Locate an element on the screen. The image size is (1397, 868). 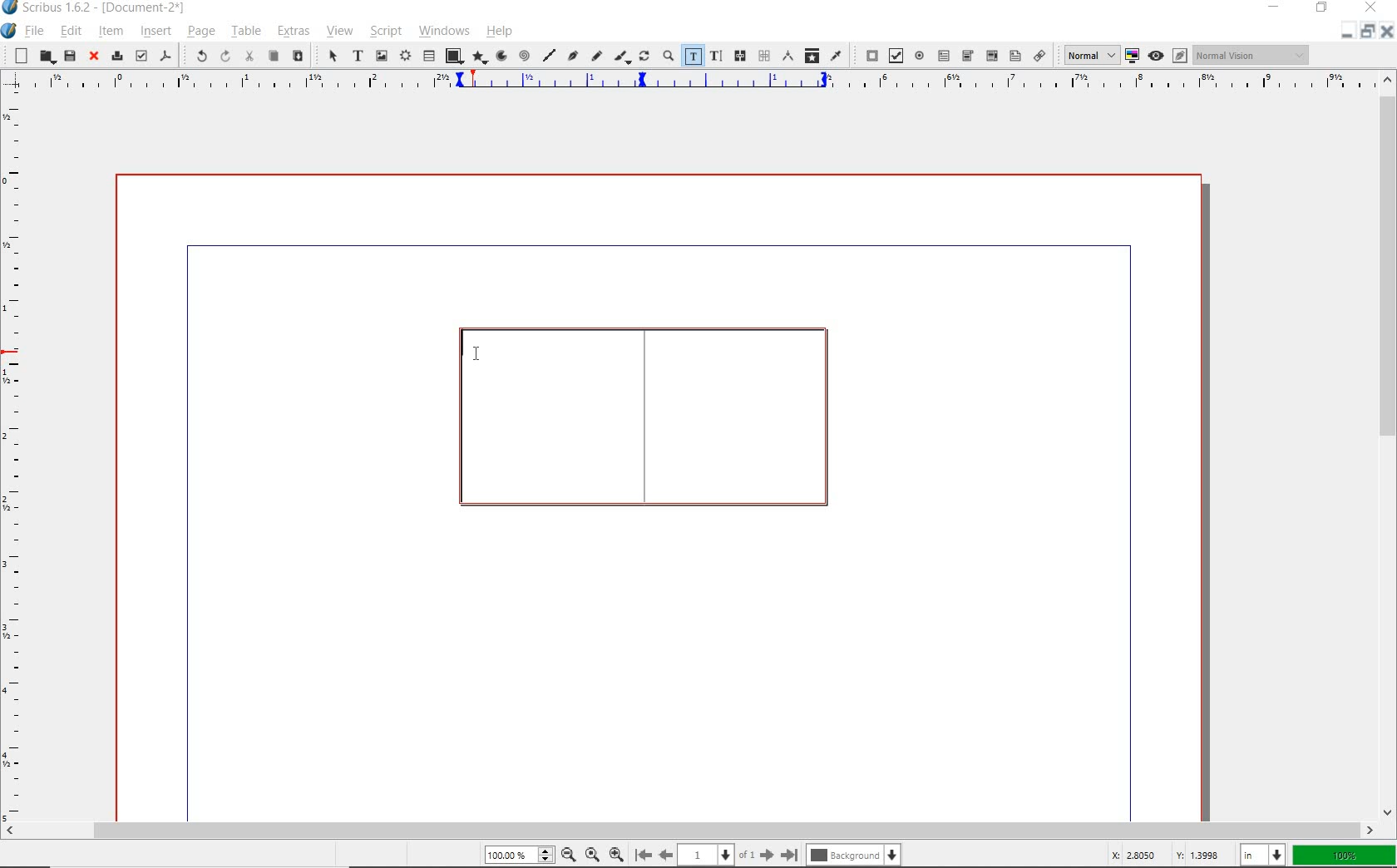
copy item properties is located at coordinates (811, 55).